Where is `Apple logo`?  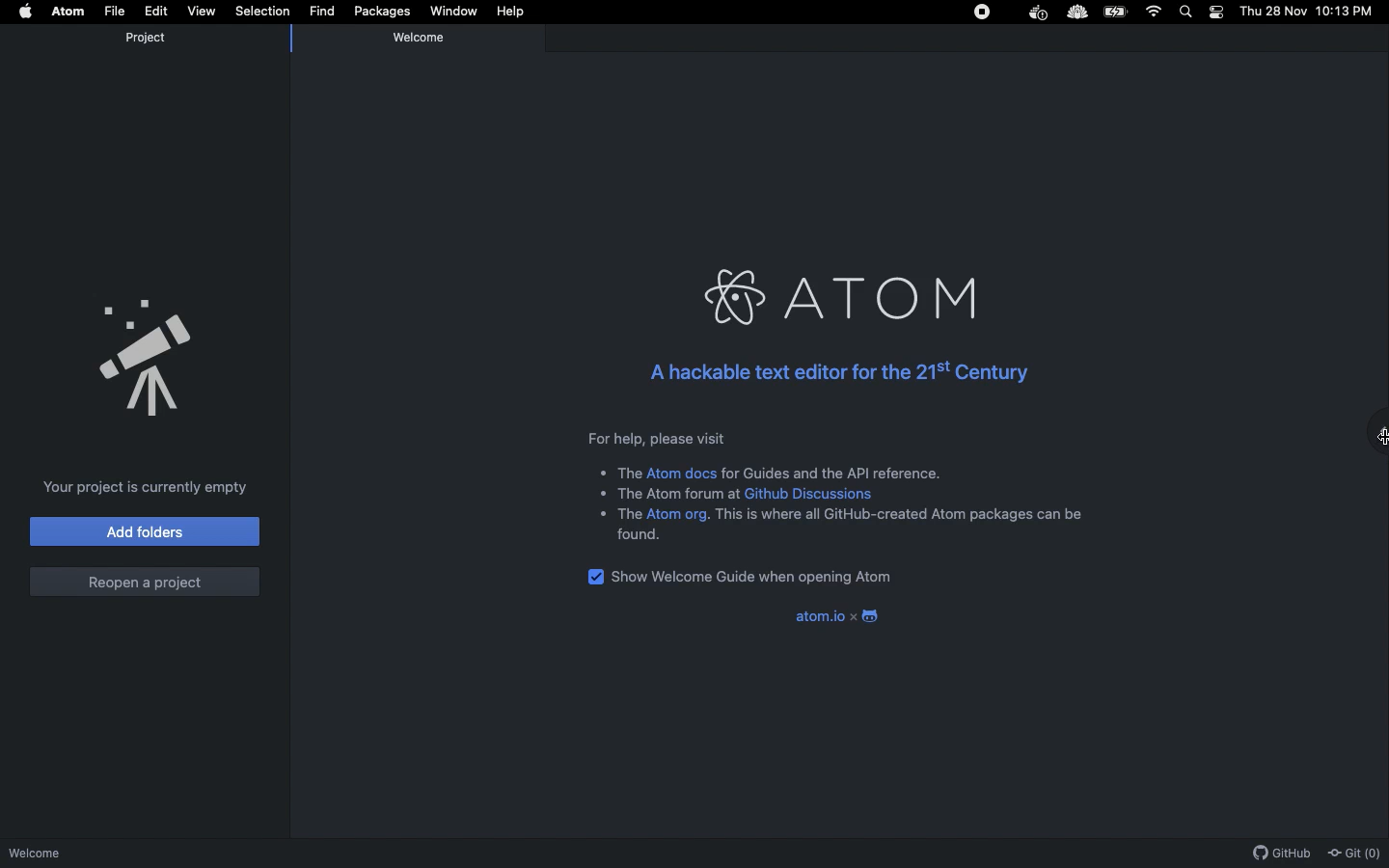
Apple logo is located at coordinates (18, 12).